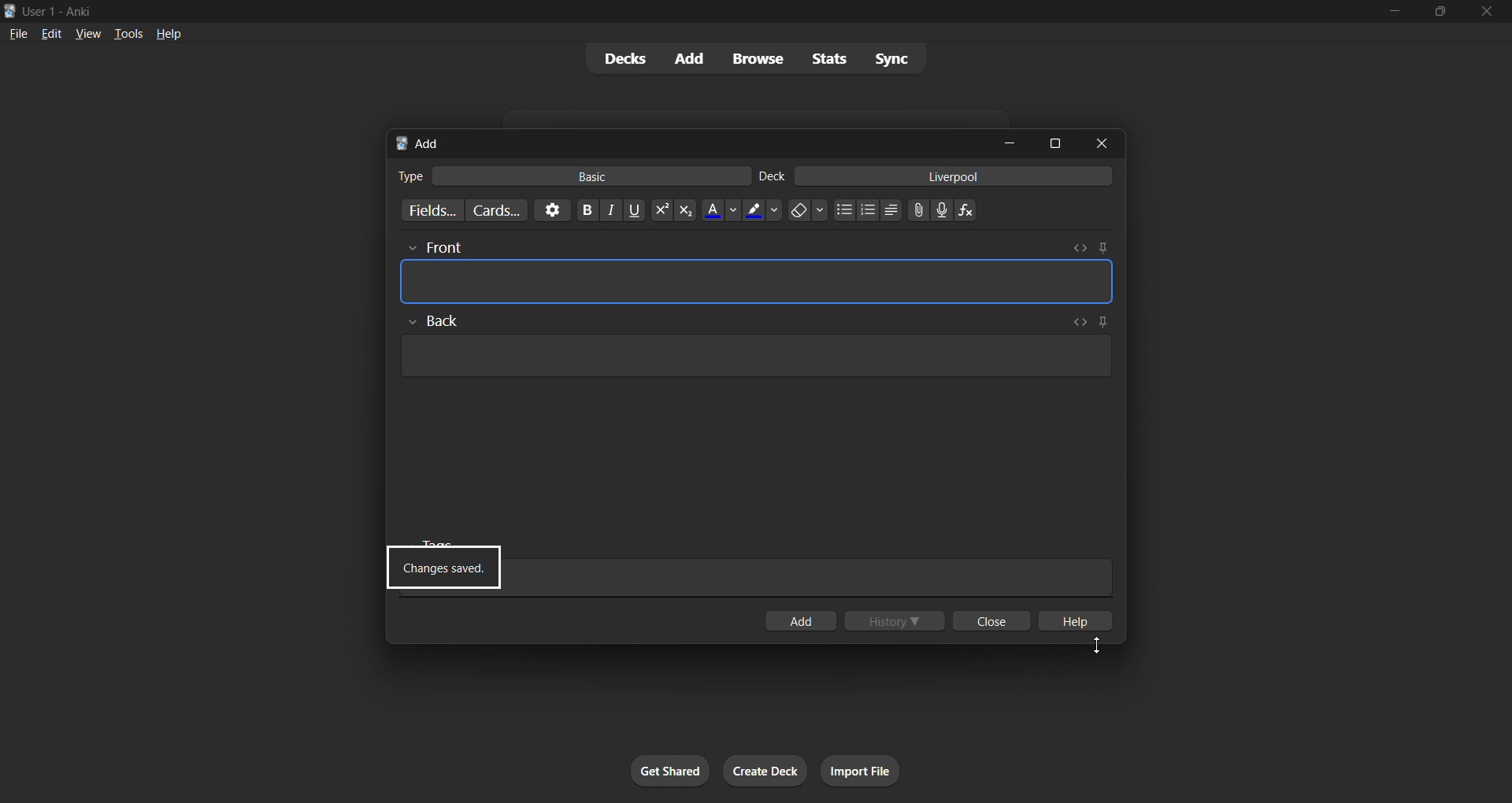  What do you see at coordinates (895, 210) in the screenshot?
I see `text align` at bounding box center [895, 210].